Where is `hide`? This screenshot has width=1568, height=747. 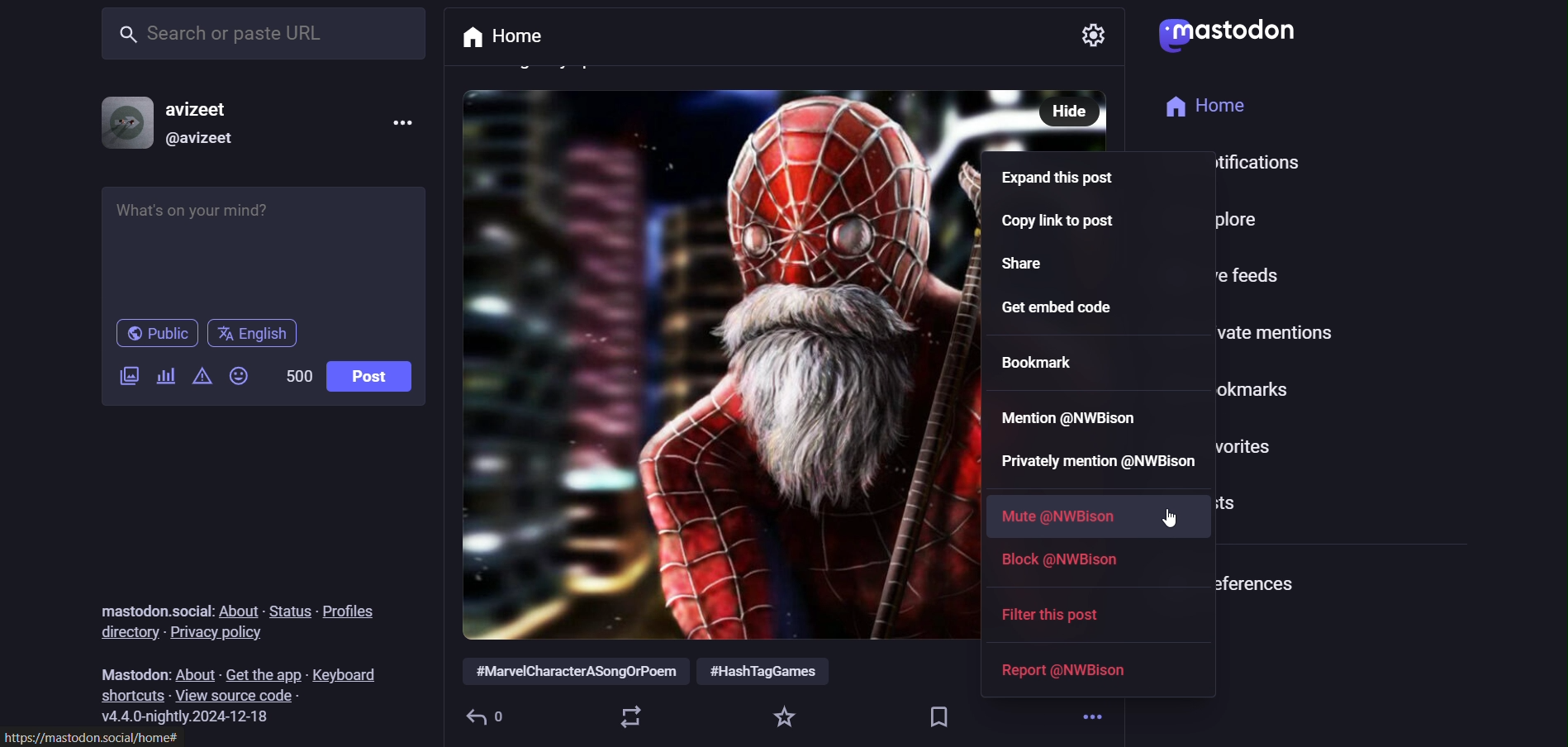
hide is located at coordinates (1058, 107).